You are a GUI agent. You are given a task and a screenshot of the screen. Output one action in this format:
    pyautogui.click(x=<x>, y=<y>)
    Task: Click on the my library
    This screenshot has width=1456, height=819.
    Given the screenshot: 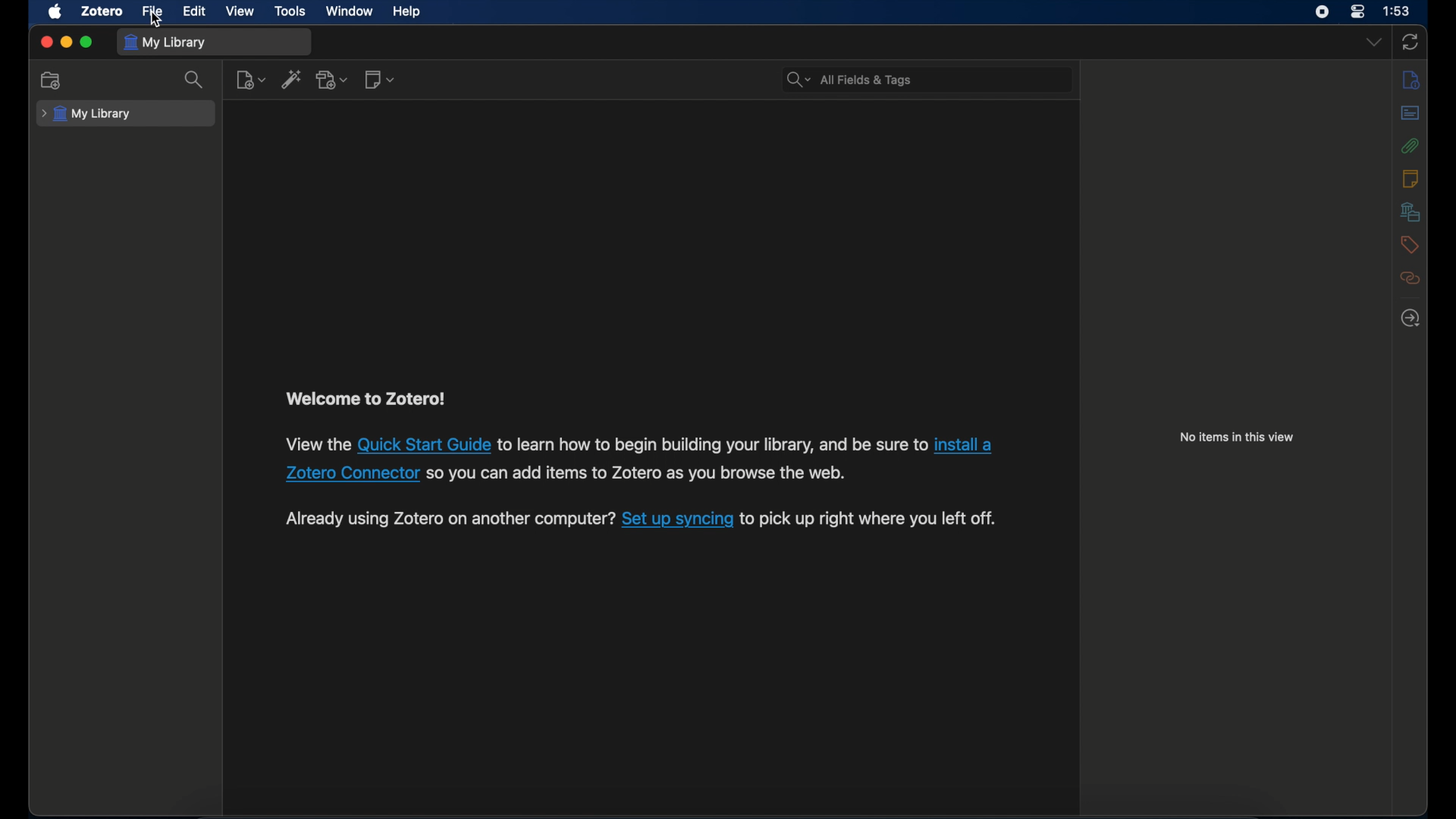 What is the action you would take?
    pyautogui.click(x=167, y=42)
    